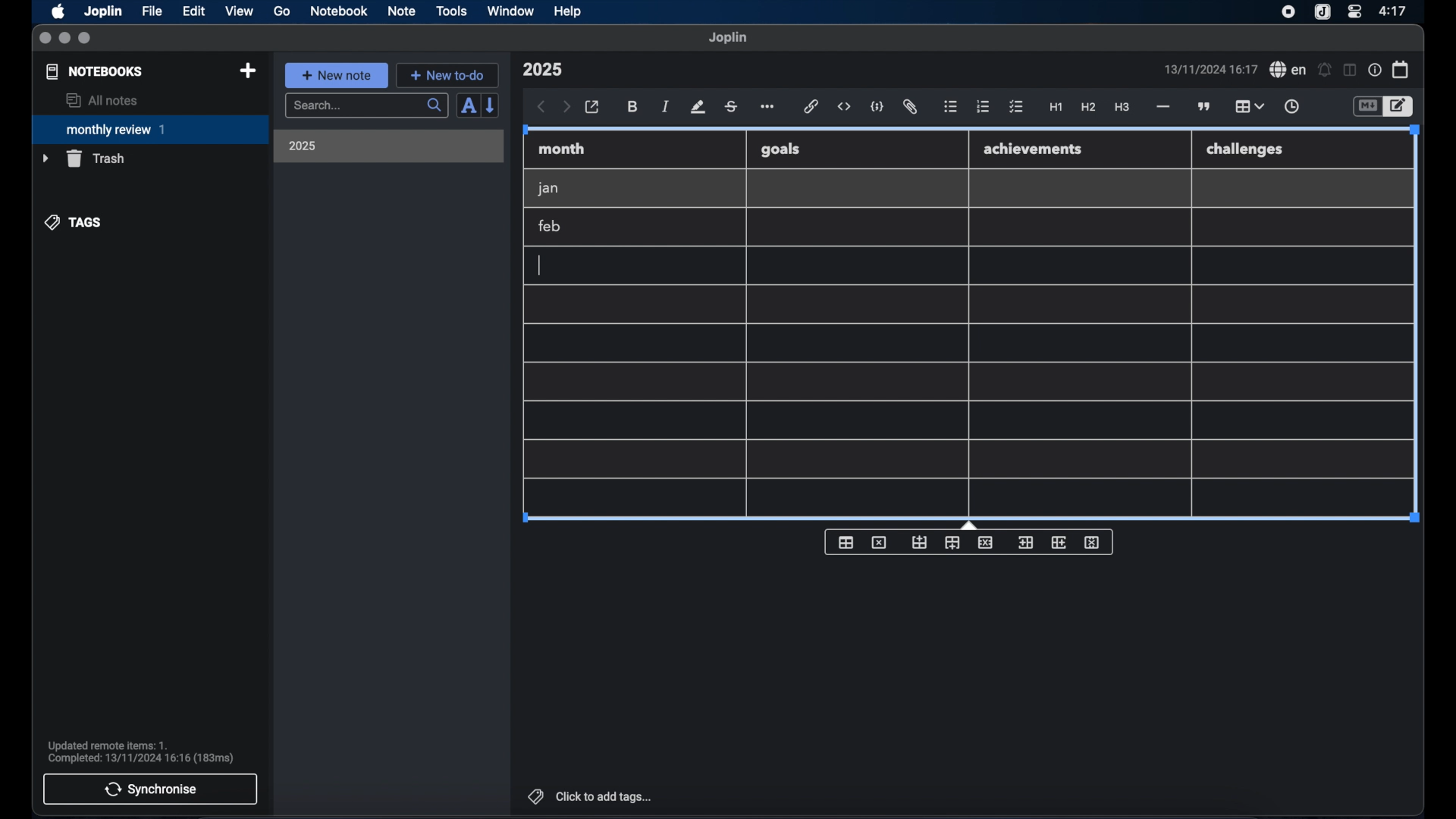 The image size is (1456, 819). What do you see at coordinates (1025, 543) in the screenshot?
I see `insert column before` at bounding box center [1025, 543].